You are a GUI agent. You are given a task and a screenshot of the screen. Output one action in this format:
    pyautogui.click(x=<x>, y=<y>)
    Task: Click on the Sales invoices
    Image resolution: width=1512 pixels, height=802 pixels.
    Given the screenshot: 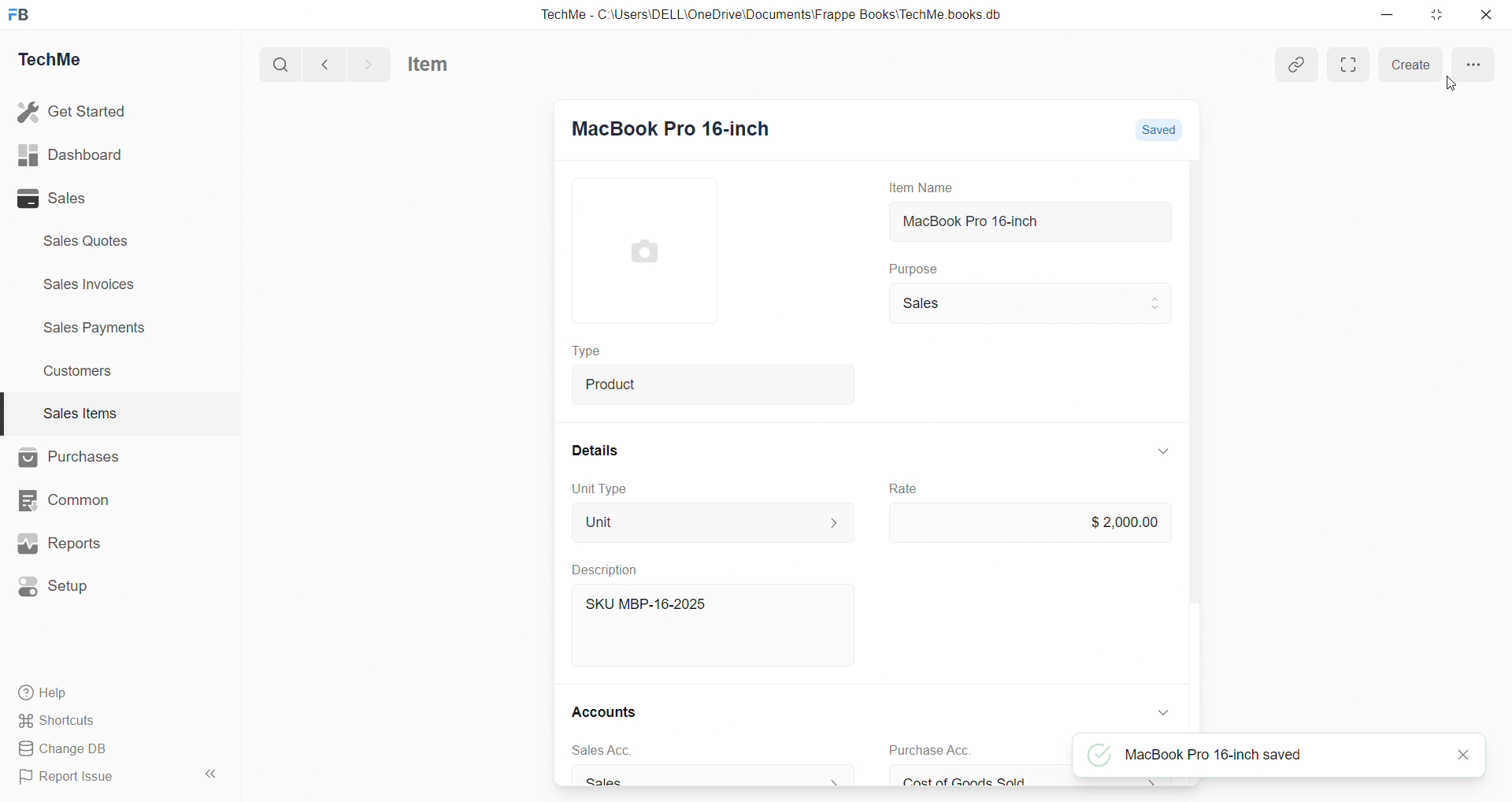 What is the action you would take?
    pyautogui.click(x=92, y=284)
    